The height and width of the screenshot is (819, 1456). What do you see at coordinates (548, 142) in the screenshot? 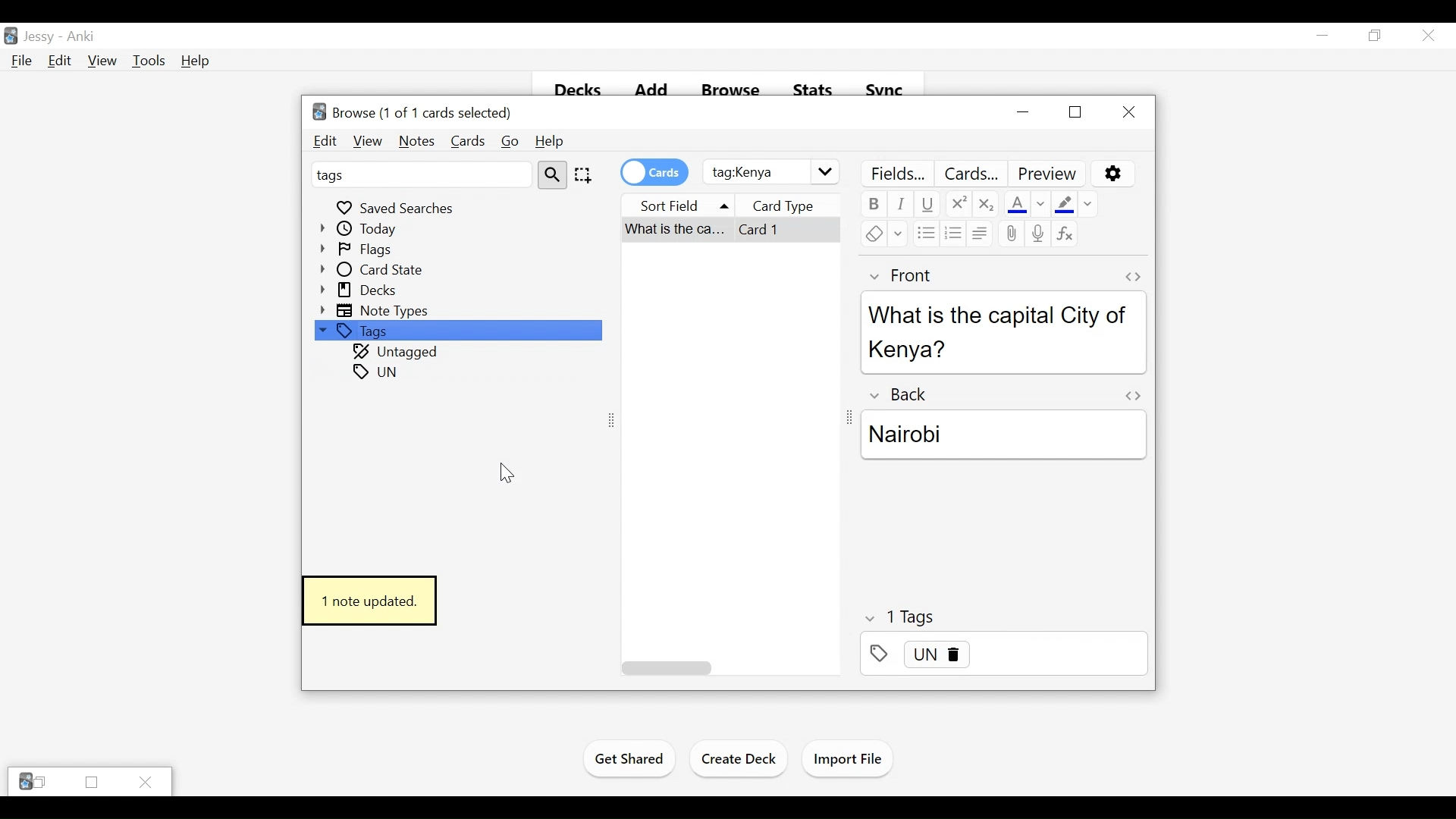
I see `Help` at bounding box center [548, 142].